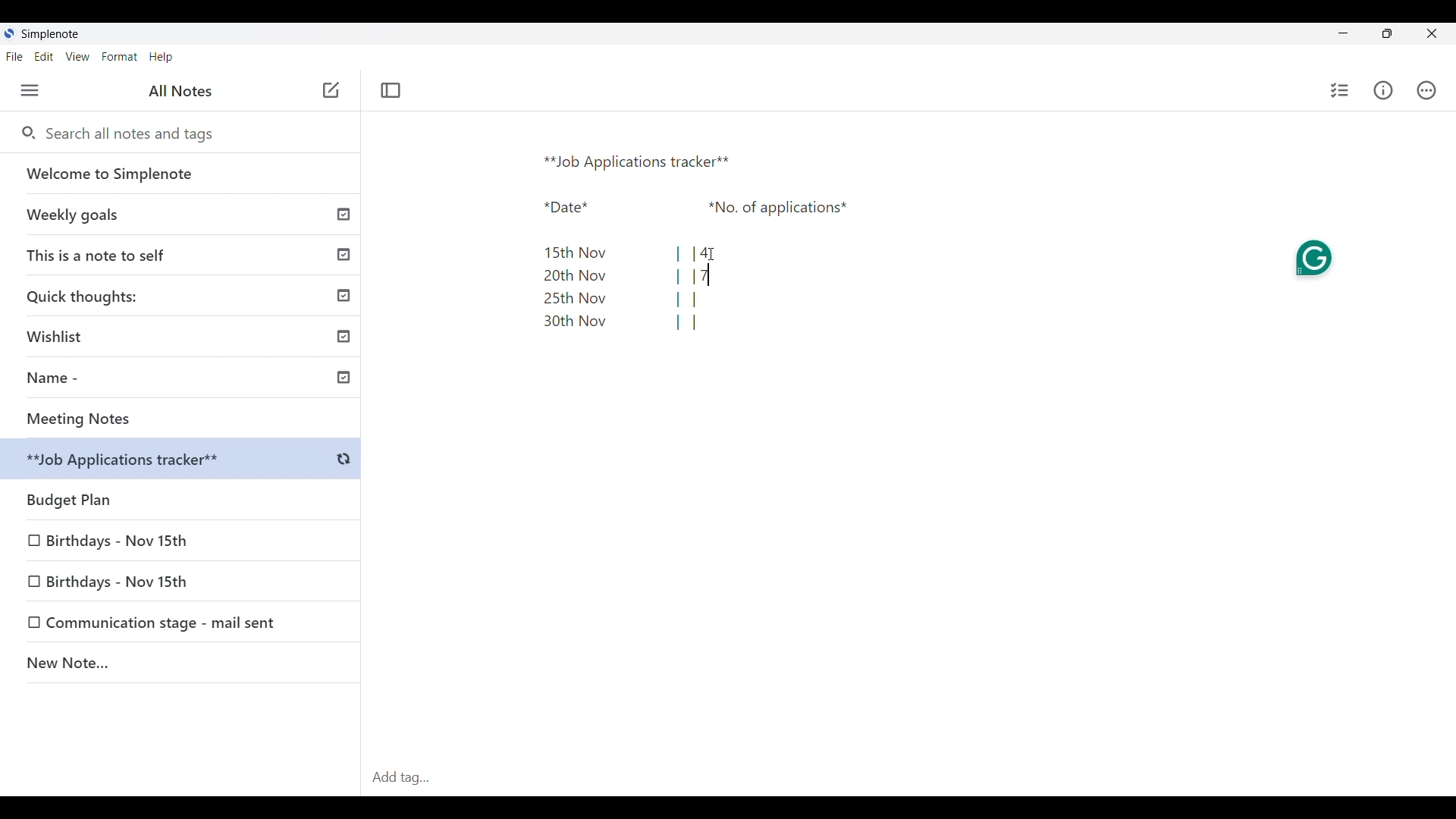 Image resolution: width=1456 pixels, height=819 pixels. What do you see at coordinates (1387, 33) in the screenshot?
I see `Maximize` at bounding box center [1387, 33].